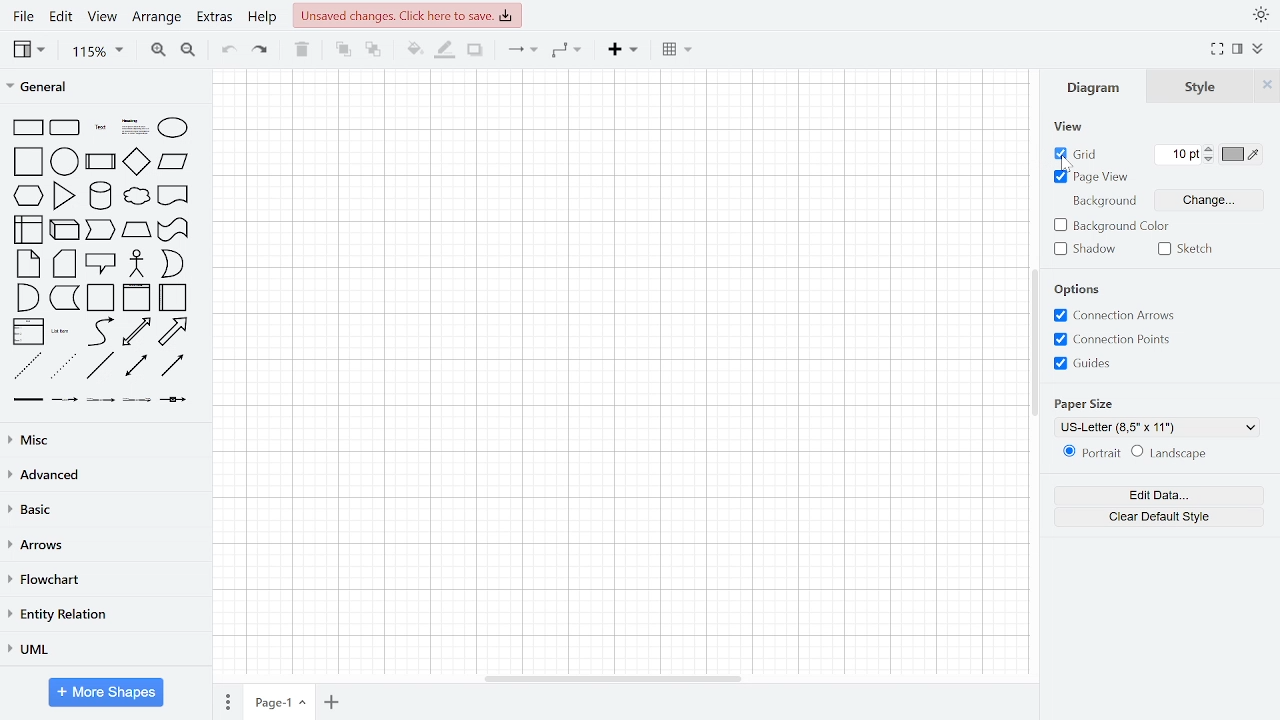 The image size is (1280, 720). What do you see at coordinates (135, 299) in the screenshot?
I see `vertical container` at bounding box center [135, 299].